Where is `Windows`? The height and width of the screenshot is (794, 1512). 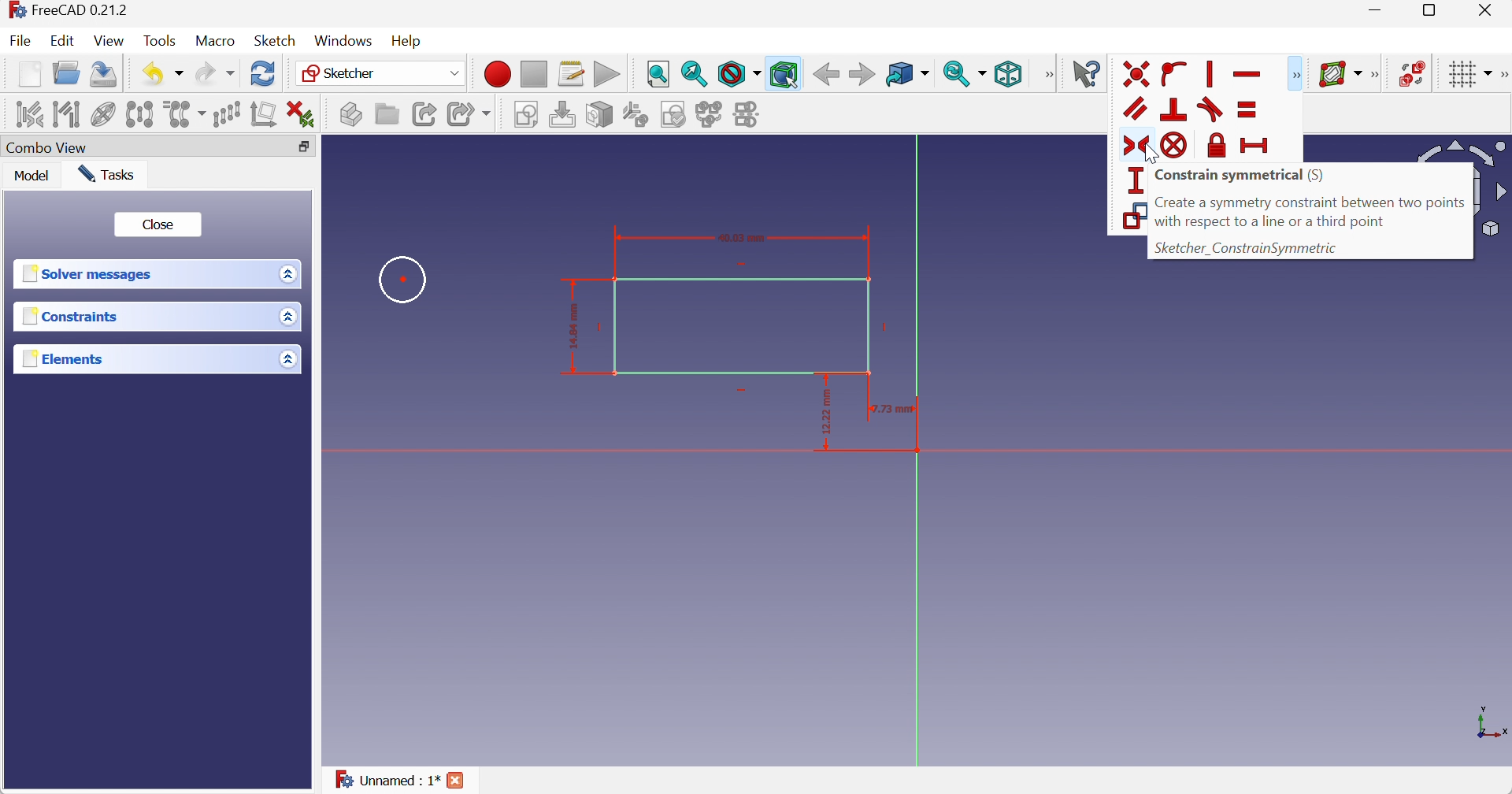 Windows is located at coordinates (344, 41).